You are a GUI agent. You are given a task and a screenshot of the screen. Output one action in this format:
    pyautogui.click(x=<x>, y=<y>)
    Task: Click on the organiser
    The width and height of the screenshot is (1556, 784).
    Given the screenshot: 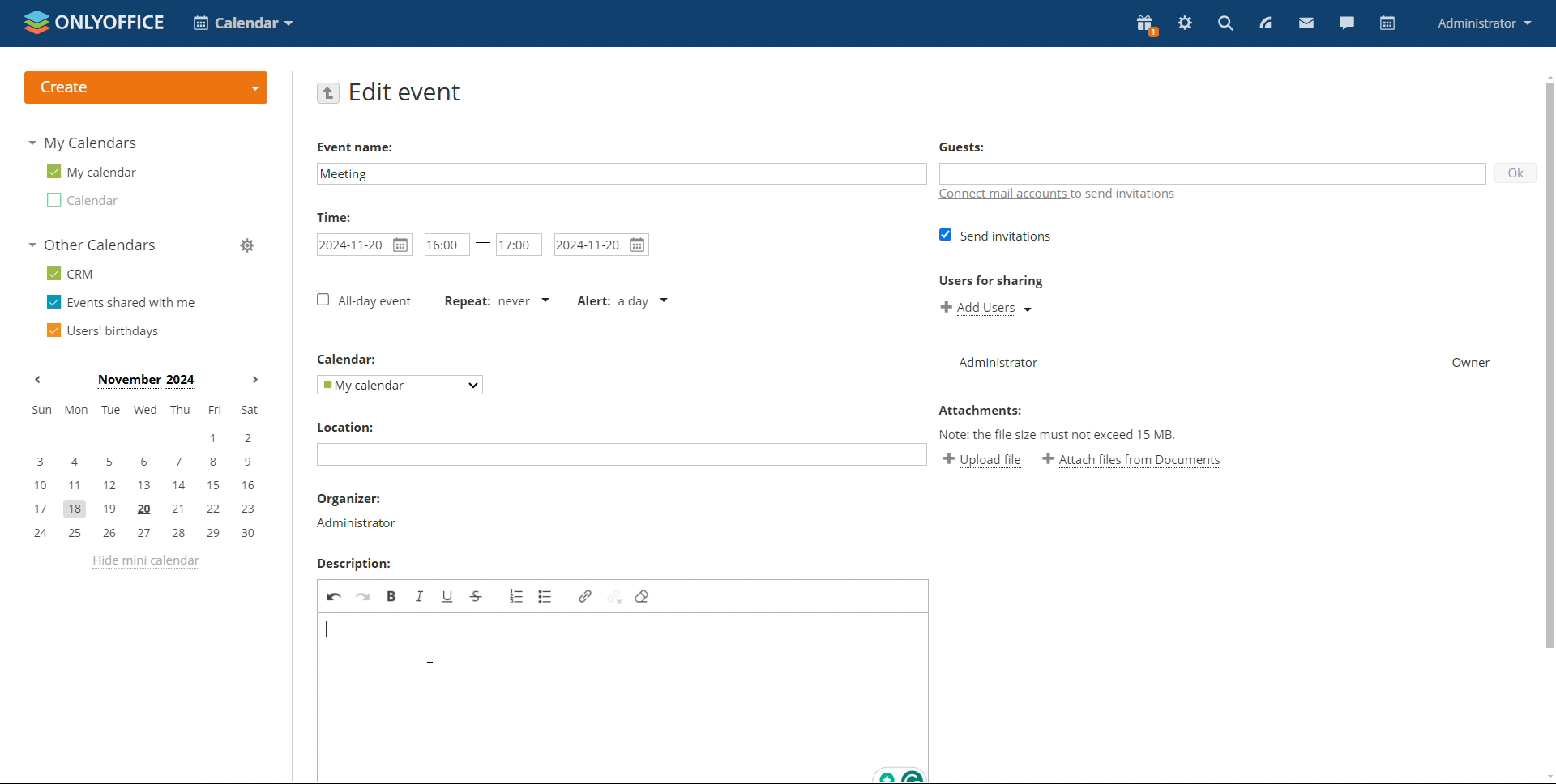 What is the action you would take?
    pyautogui.click(x=347, y=499)
    